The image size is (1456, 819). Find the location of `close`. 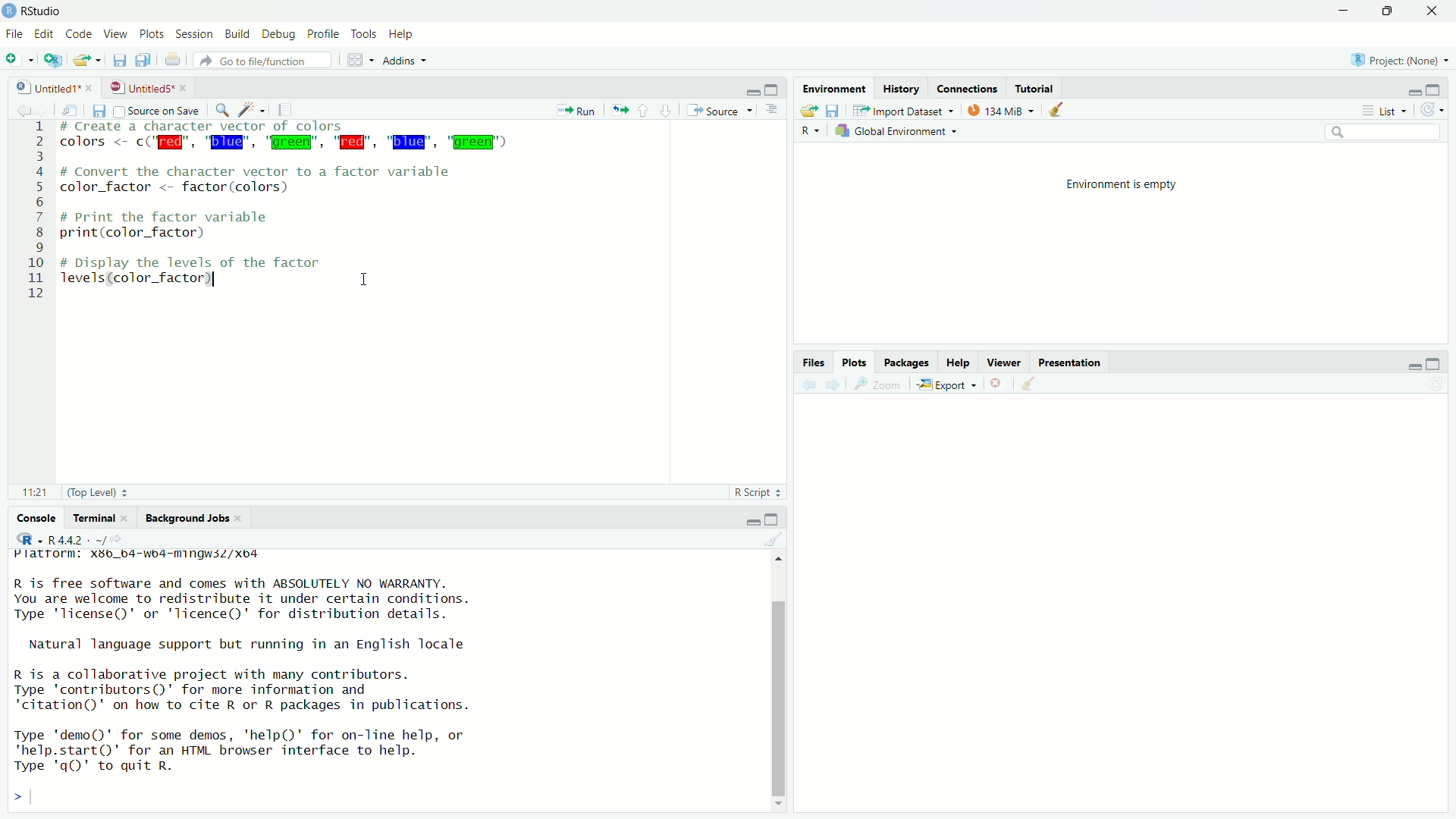

close is located at coordinates (187, 87).